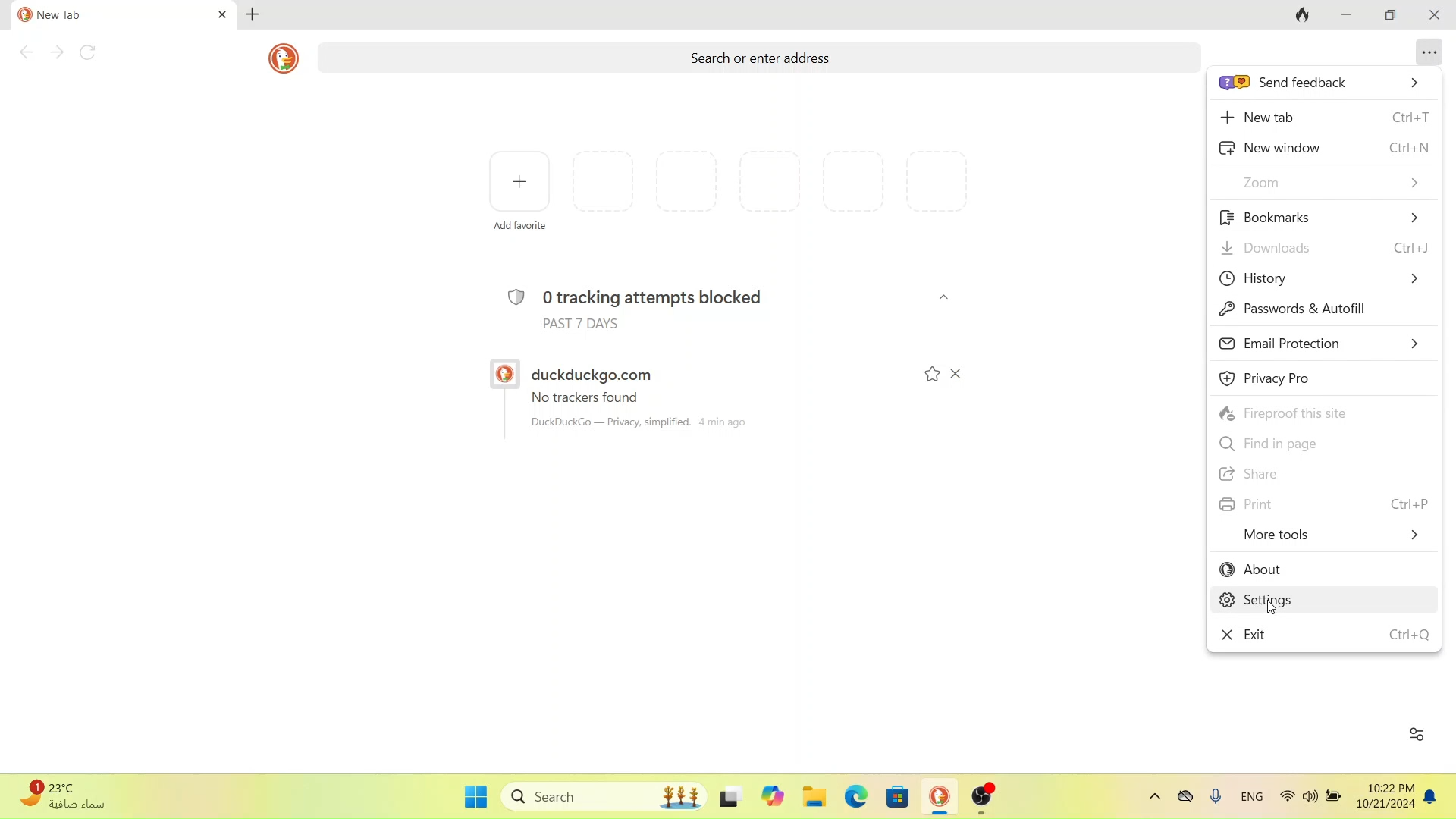 This screenshot has height=819, width=1456. Describe the element at coordinates (1326, 216) in the screenshot. I see `bookmarks` at that location.